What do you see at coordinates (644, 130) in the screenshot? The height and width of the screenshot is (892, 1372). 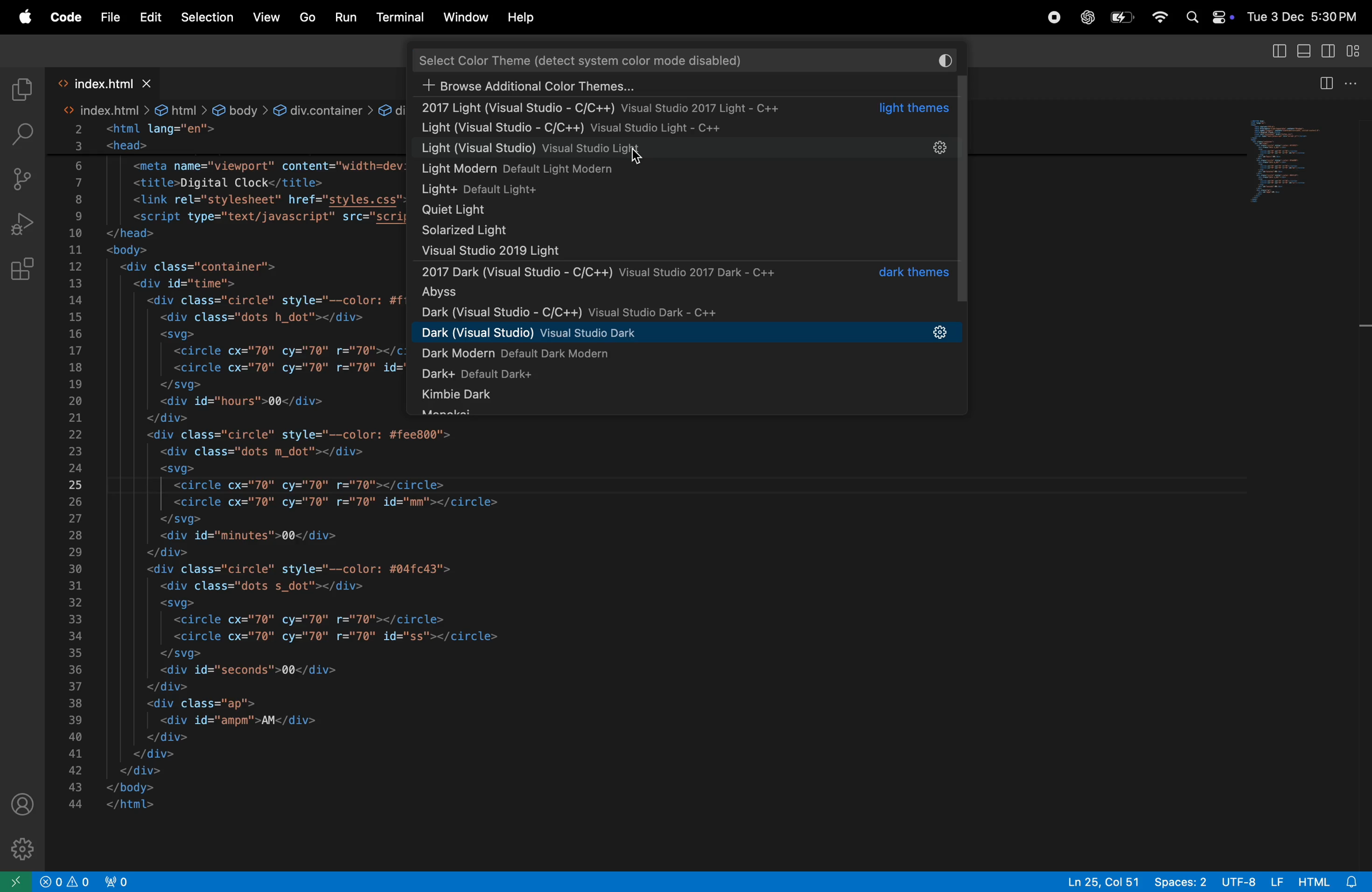 I see `light visual studio` at bounding box center [644, 130].